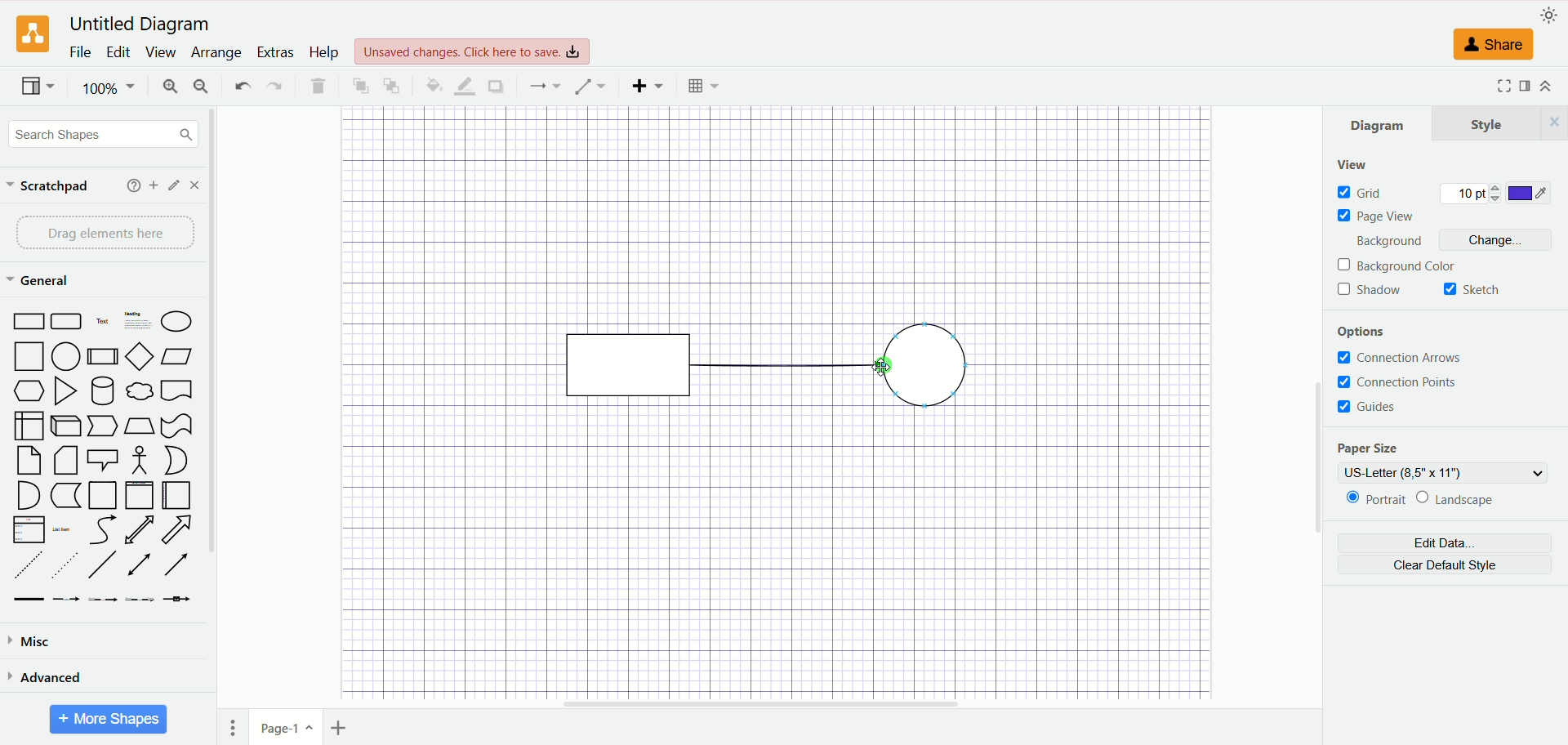  I want to click on rectangle, so click(625, 364).